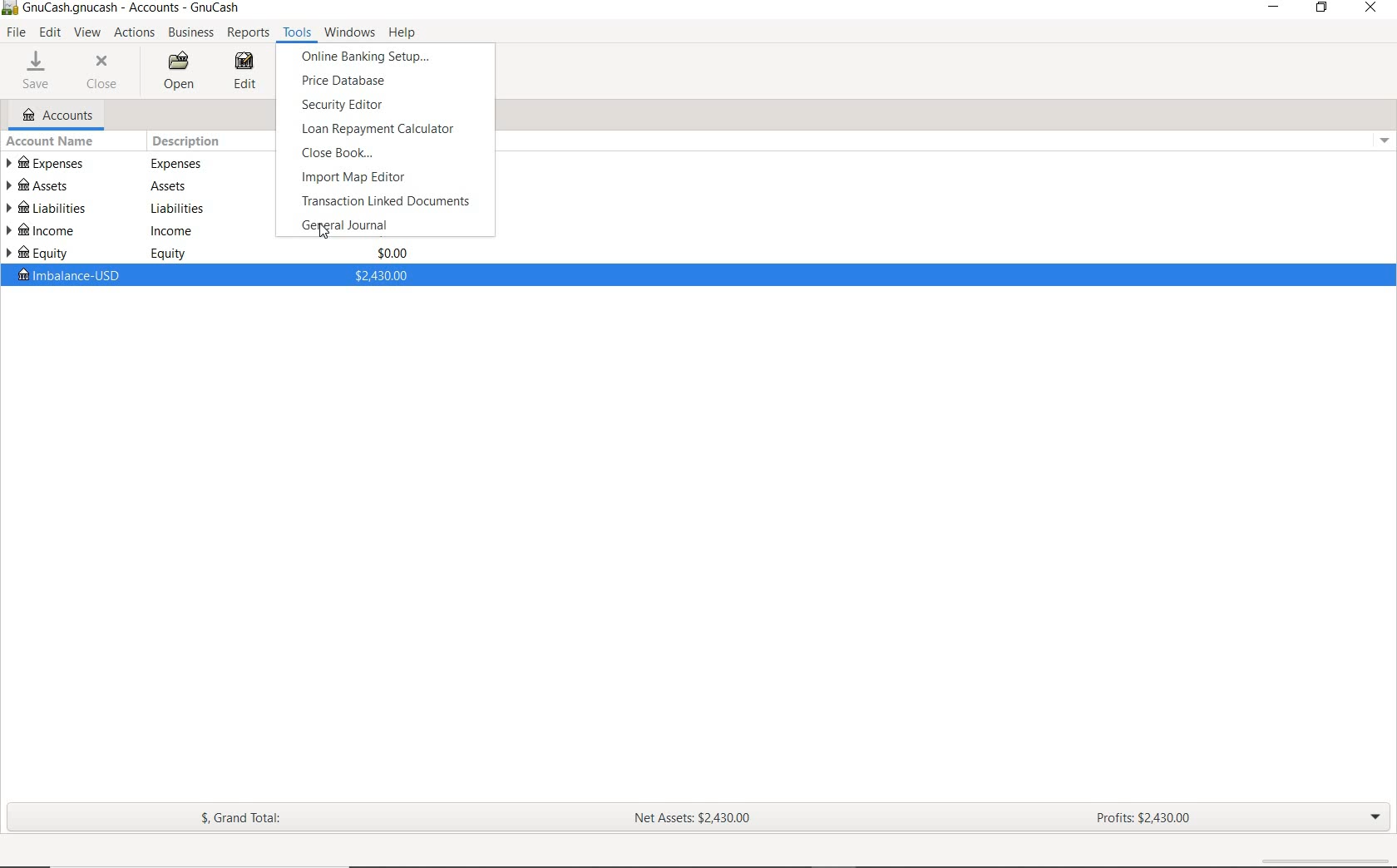 The height and width of the screenshot is (868, 1397). What do you see at coordinates (47, 253) in the screenshot?
I see `EQUITY` at bounding box center [47, 253].